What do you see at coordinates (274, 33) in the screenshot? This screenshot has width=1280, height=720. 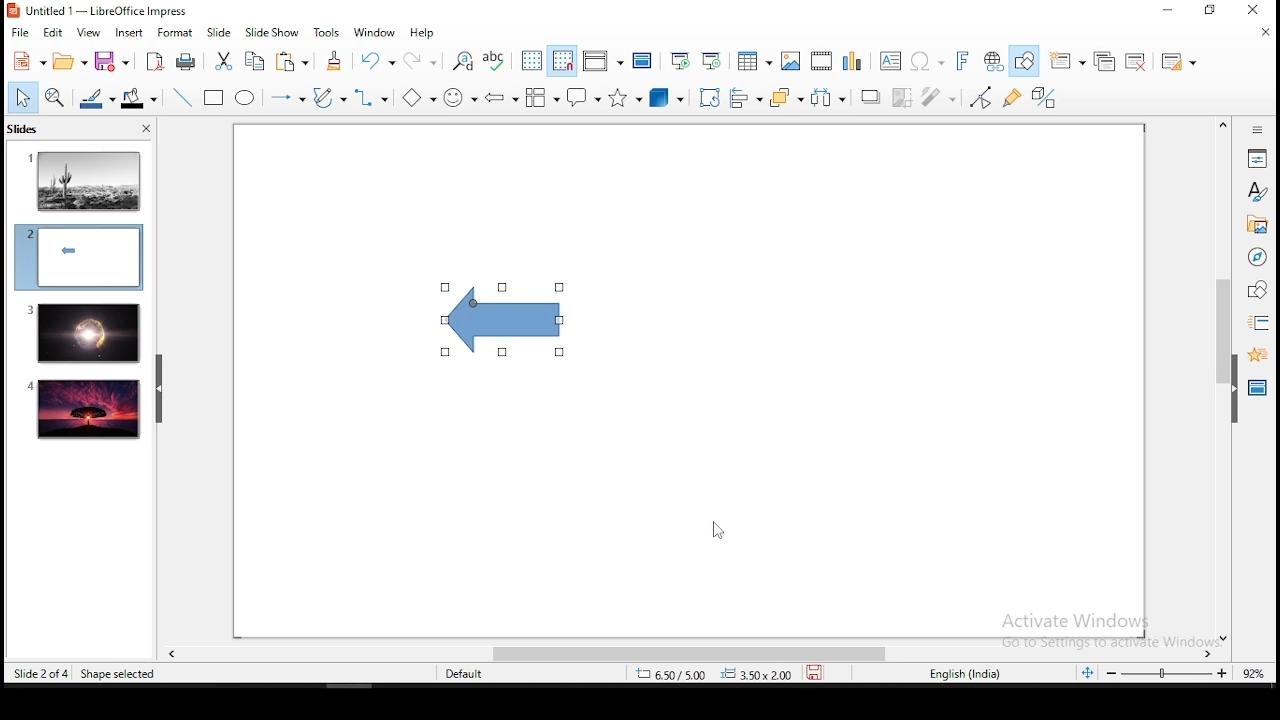 I see `slide show` at bounding box center [274, 33].